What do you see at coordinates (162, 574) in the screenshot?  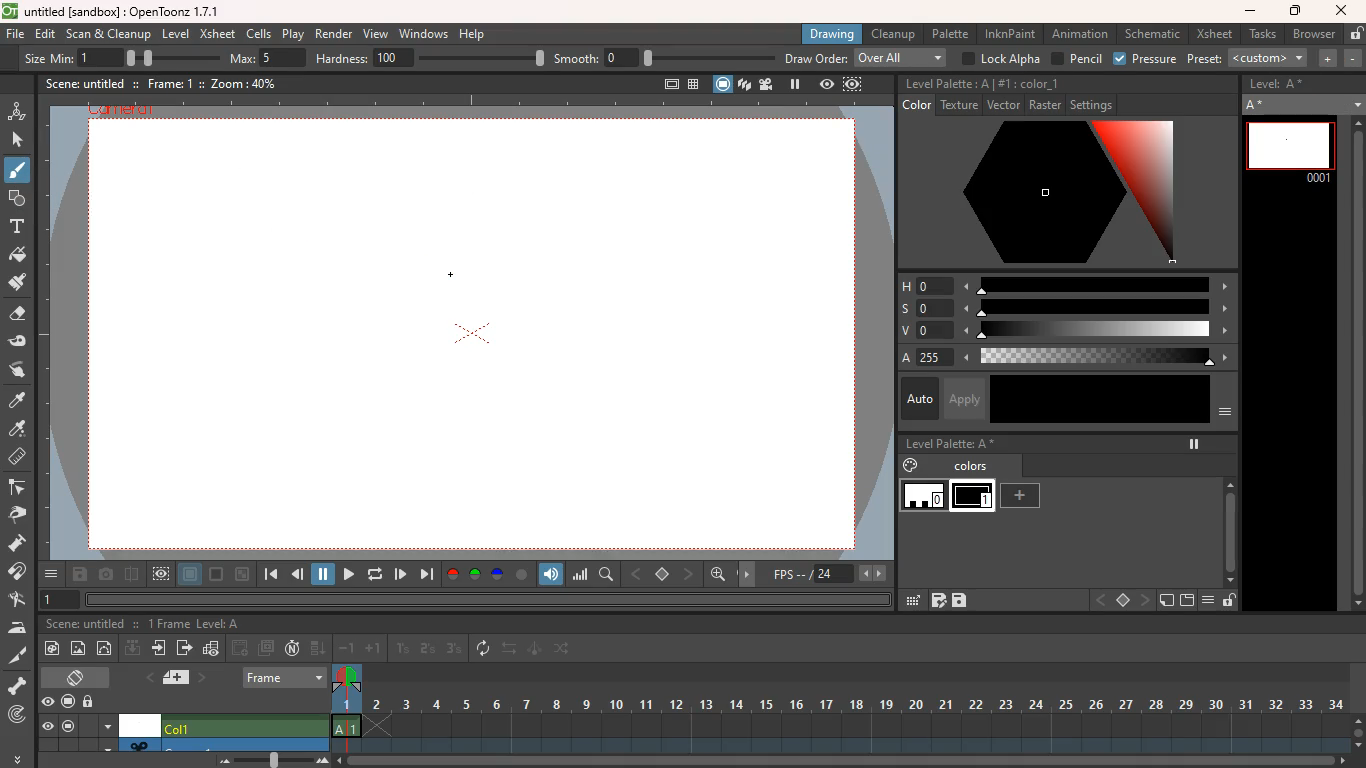 I see `view` at bounding box center [162, 574].